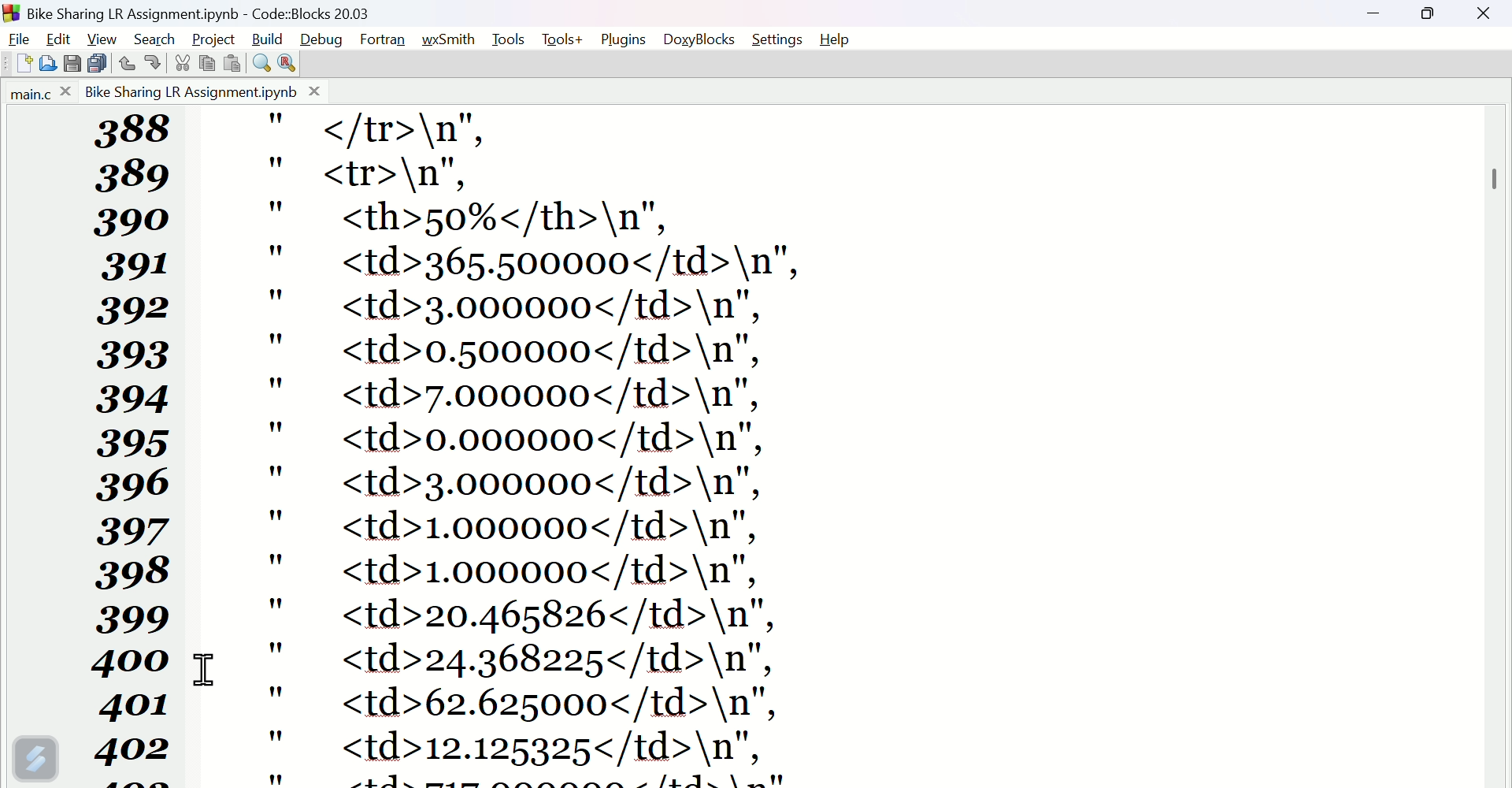 The width and height of the screenshot is (1512, 788). I want to click on Open, so click(51, 64).